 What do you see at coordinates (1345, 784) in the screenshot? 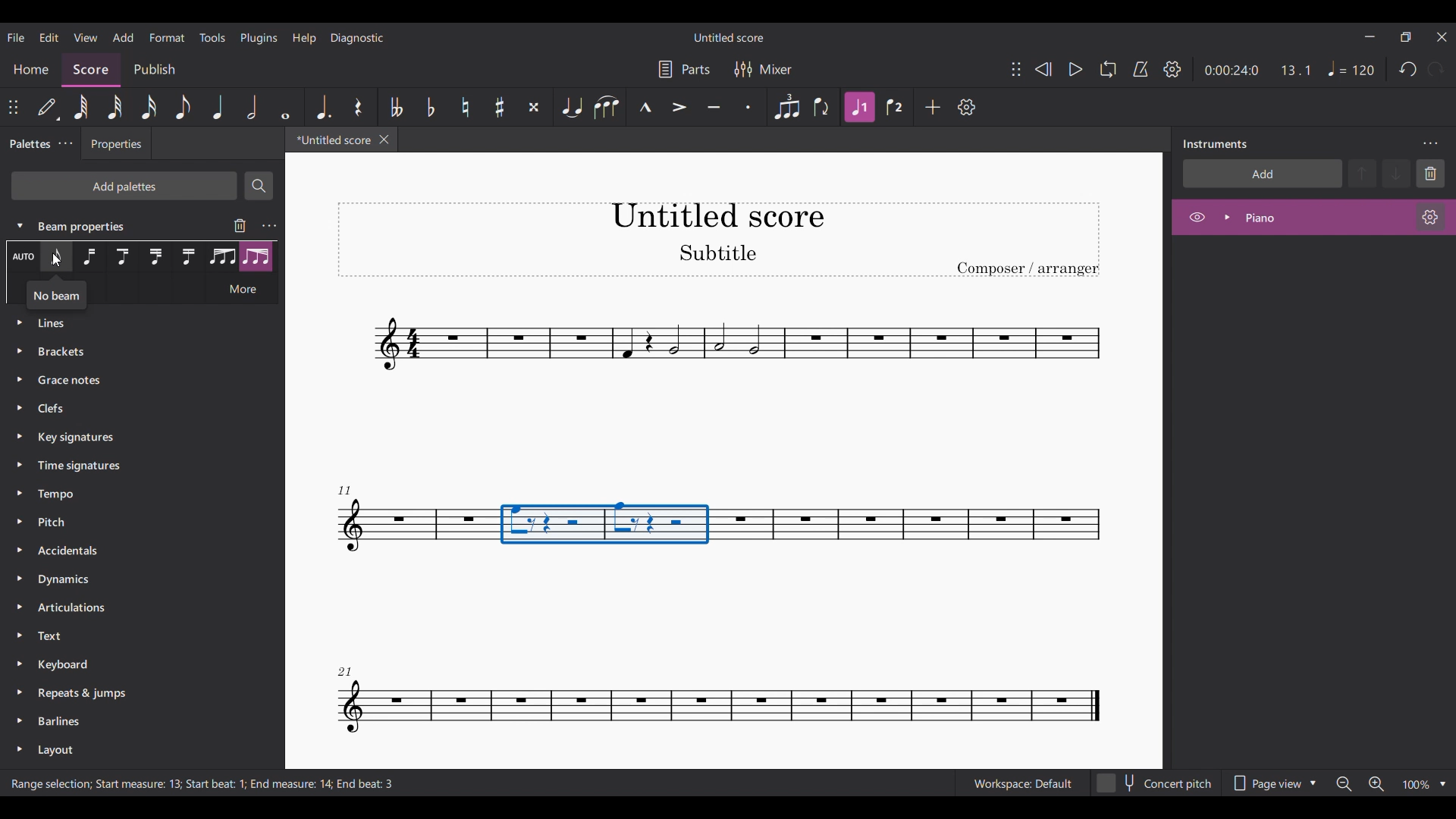
I see `Zoom out` at bounding box center [1345, 784].